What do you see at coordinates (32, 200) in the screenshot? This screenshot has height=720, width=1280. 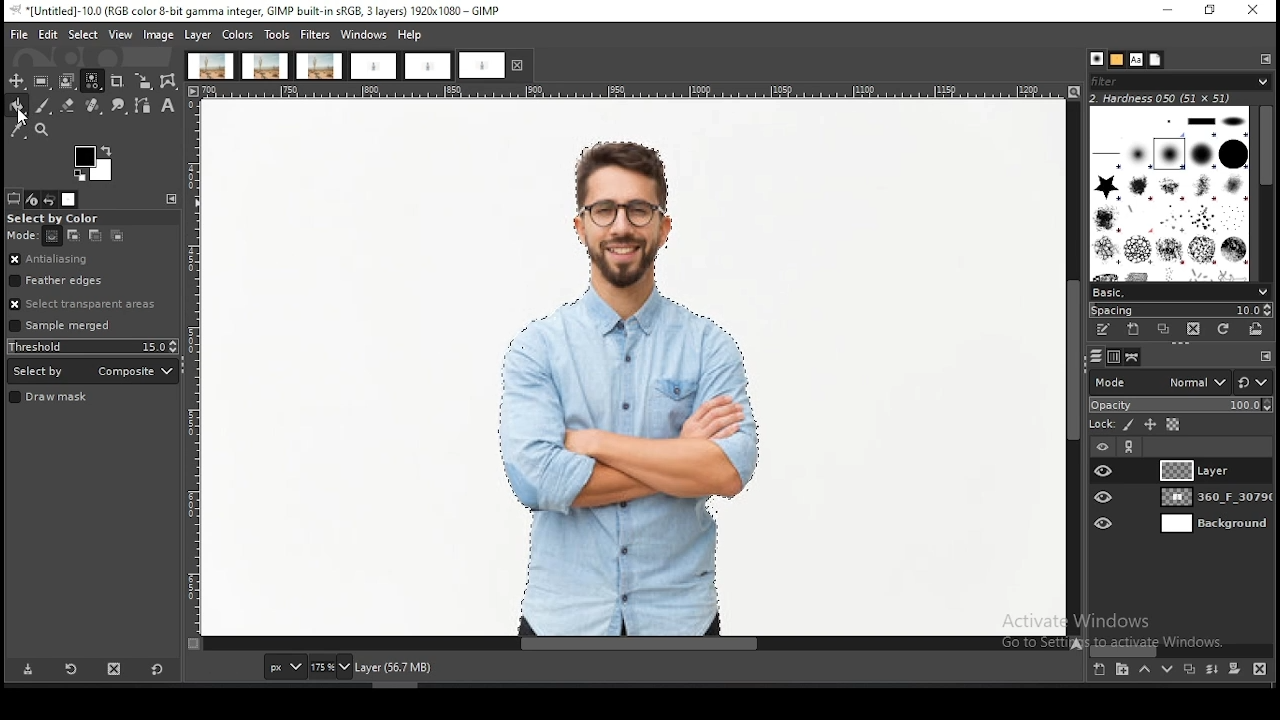 I see `device status` at bounding box center [32, 200].